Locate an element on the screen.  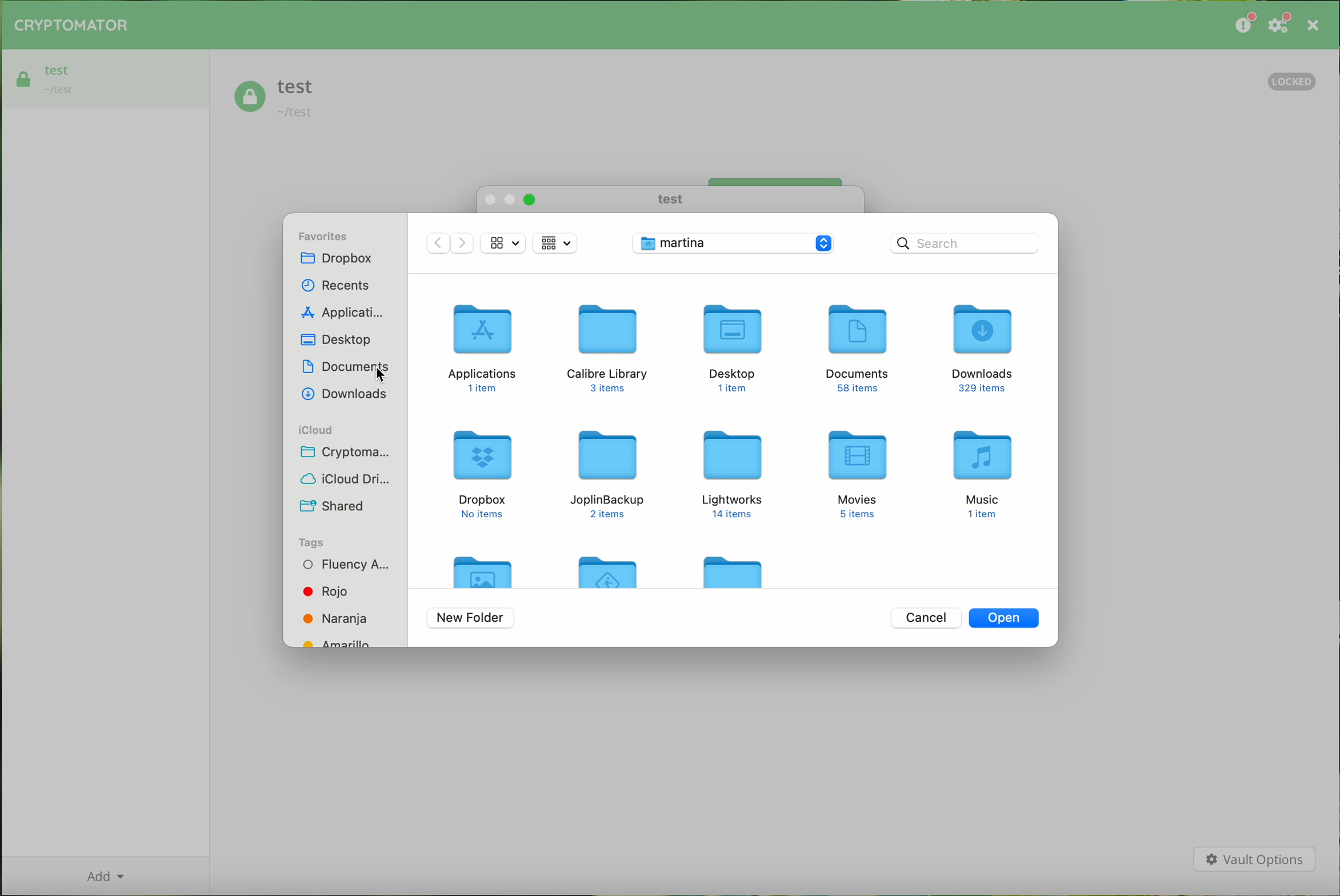
locked is located at coordinates (1293, 82).